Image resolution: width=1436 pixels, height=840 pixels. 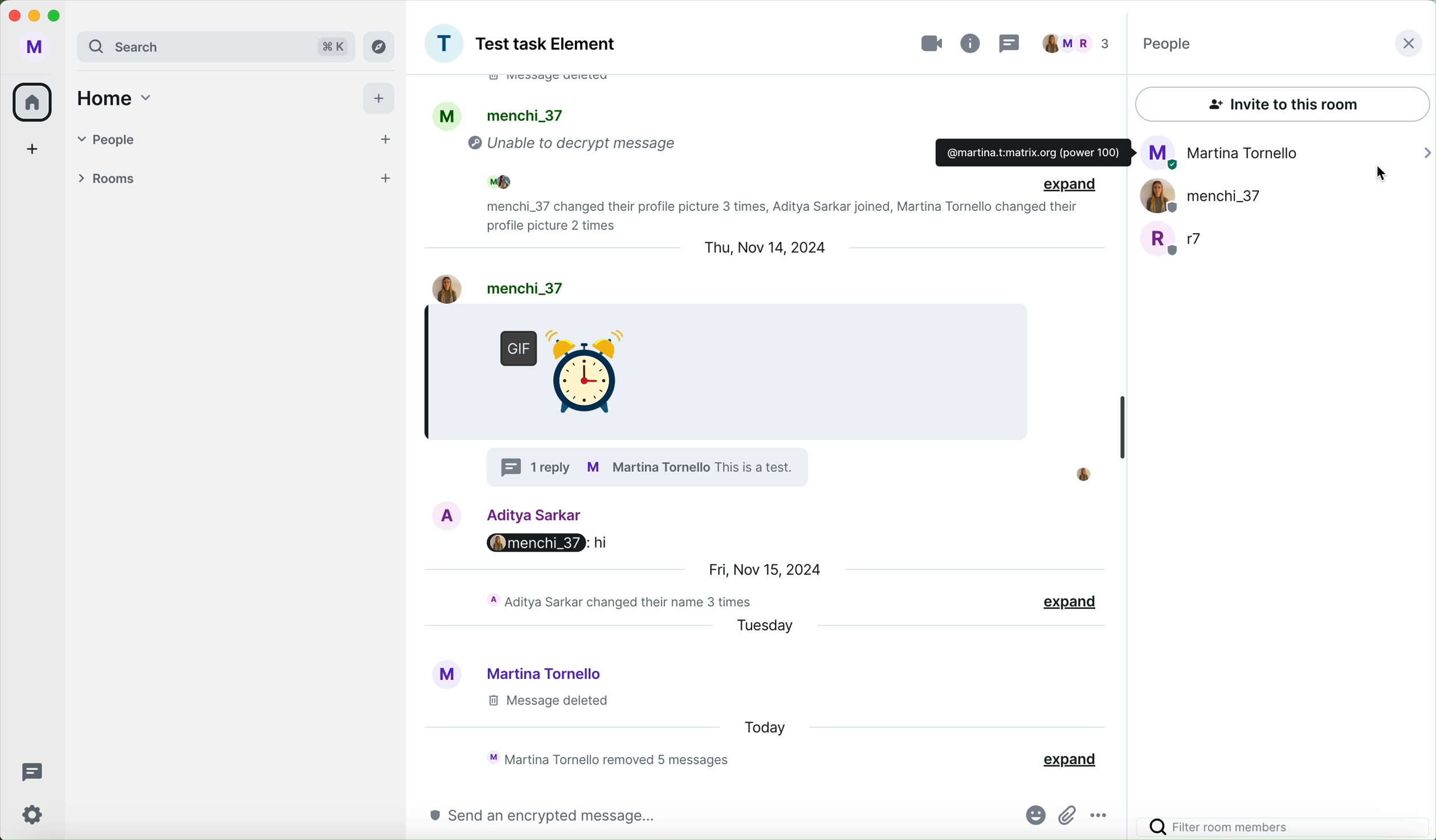 What do you see at coordinates (1031, 817) in the screenshot?
I see `emojis` at bounding box center [1031, 817].